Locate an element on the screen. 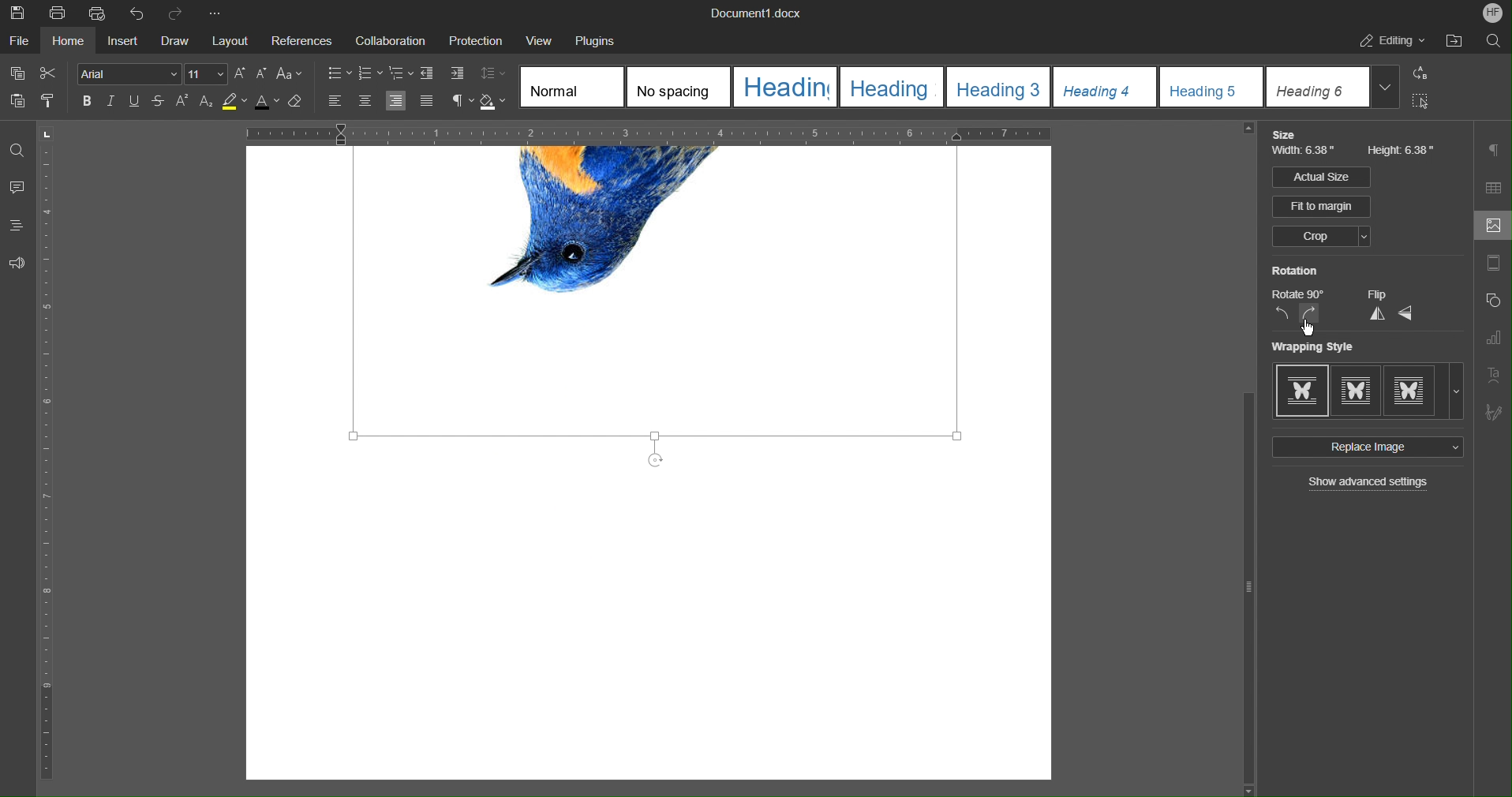 This screenshot has height=797, width=1512. Staggered List is located at coordinates (400, 74).